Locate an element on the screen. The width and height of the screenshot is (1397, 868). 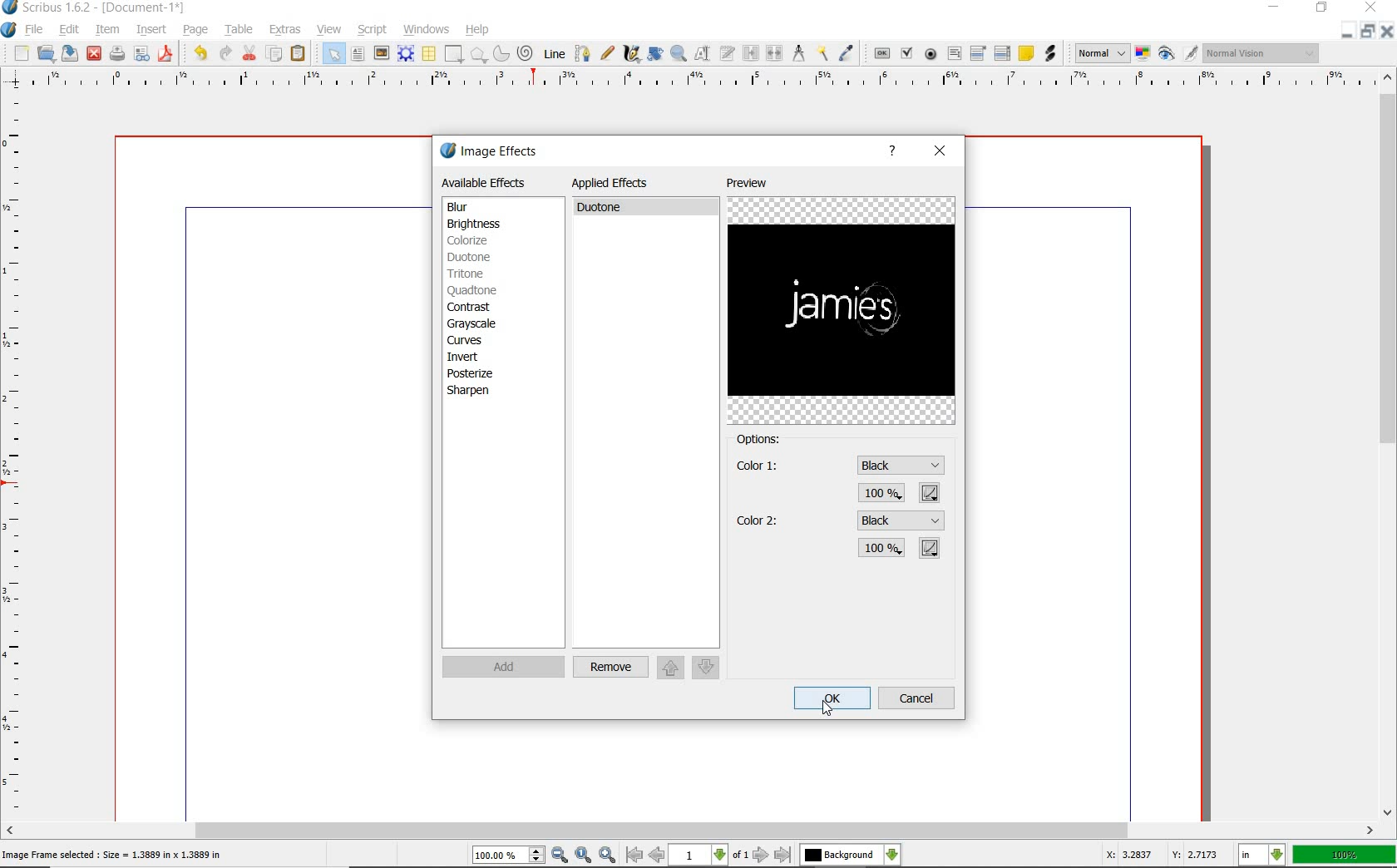
preview mode is located at coordinates (1177, 54).